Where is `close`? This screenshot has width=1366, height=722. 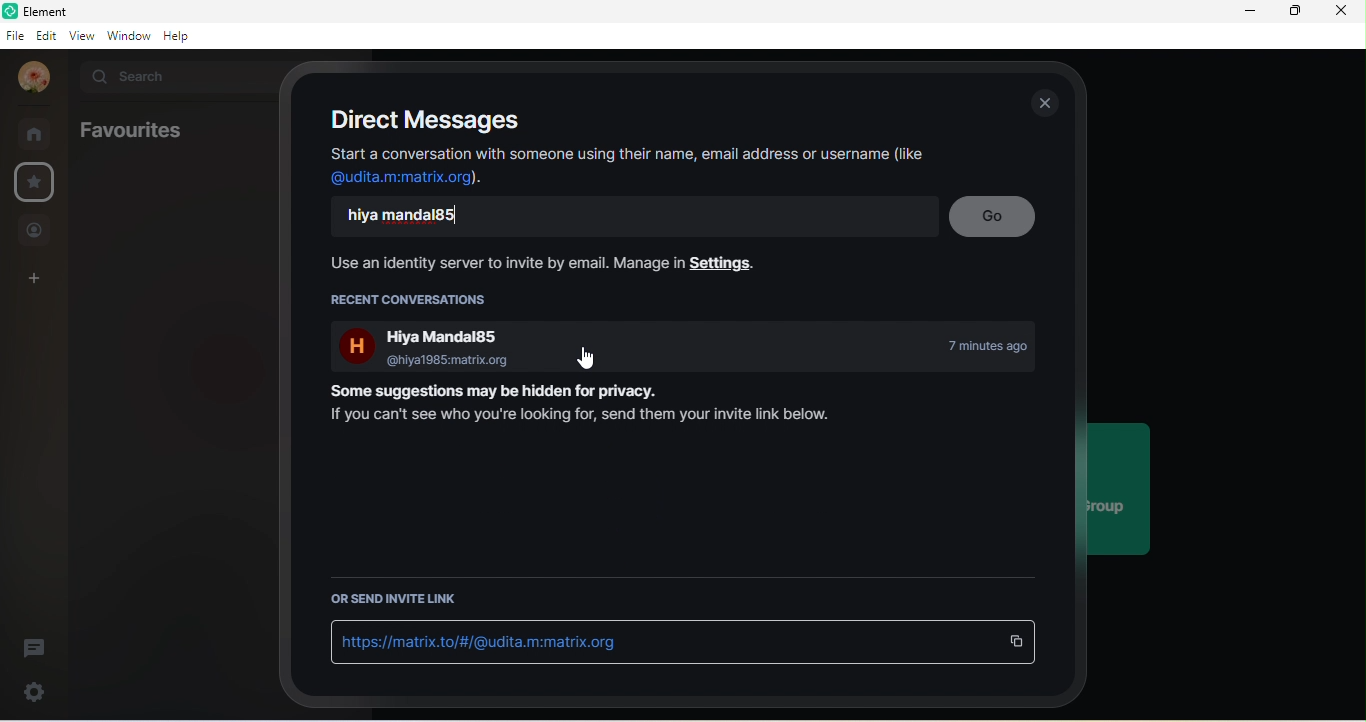
close is located at coordinates (1044, 103).